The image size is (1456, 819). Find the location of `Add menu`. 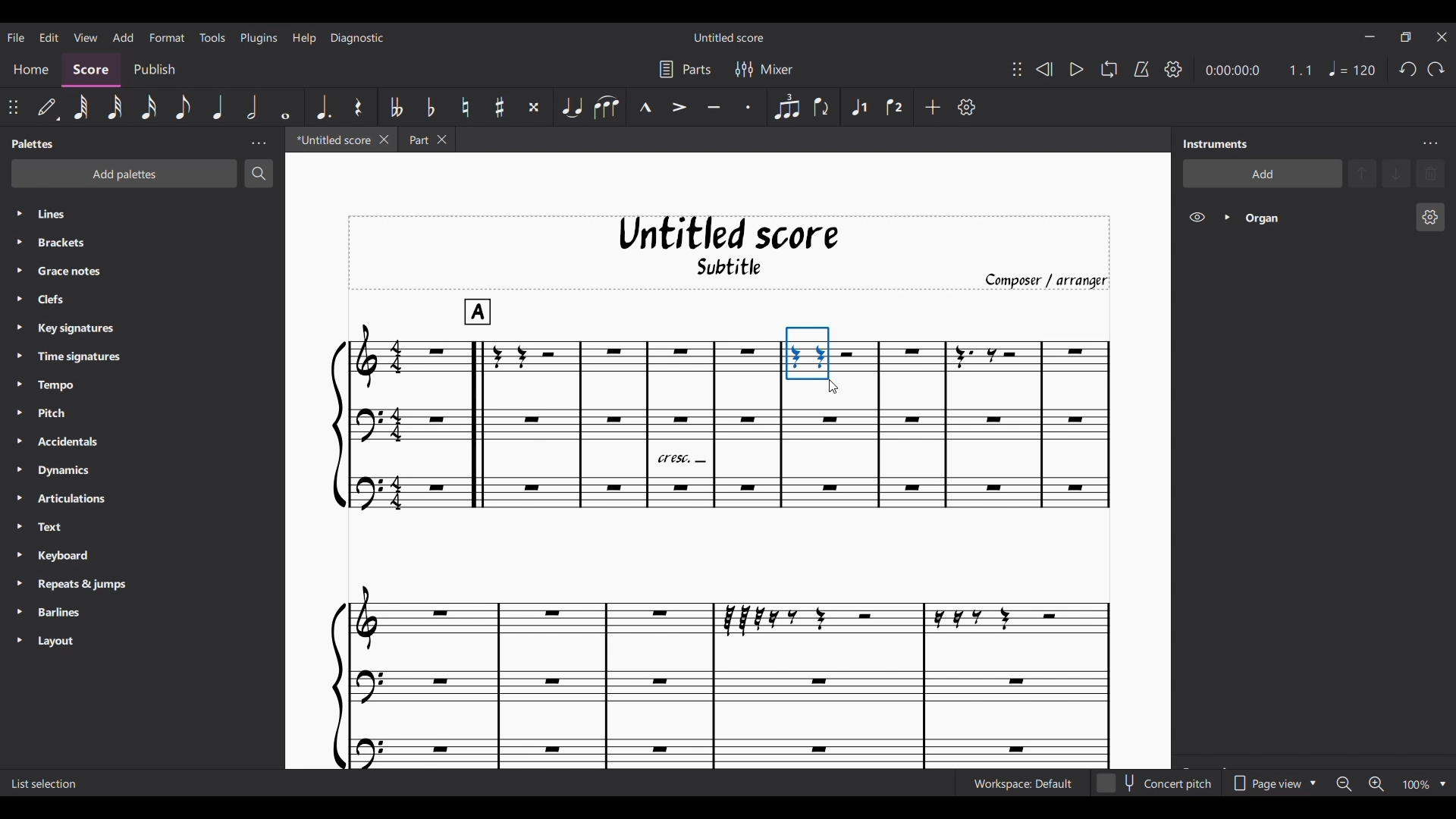

Add menu is located at coordinates (123, 36).